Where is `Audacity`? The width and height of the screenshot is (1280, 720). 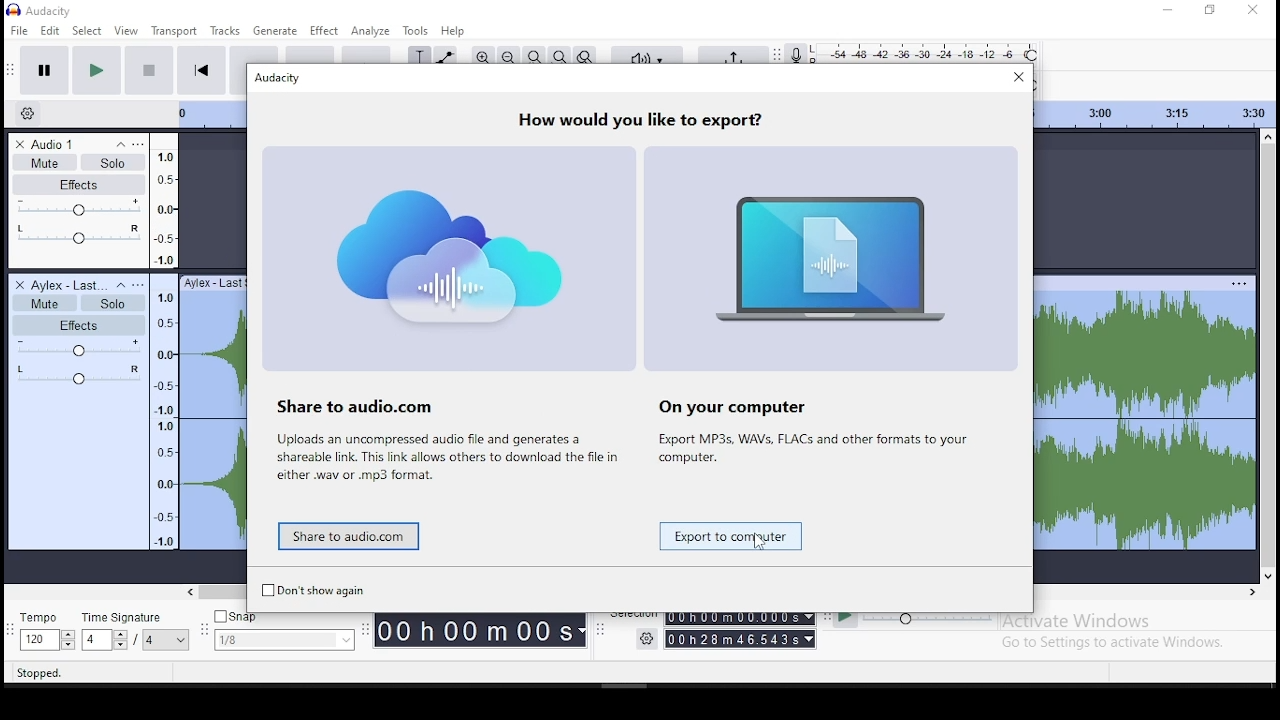
Audacity is located at coordinates (277, 78).